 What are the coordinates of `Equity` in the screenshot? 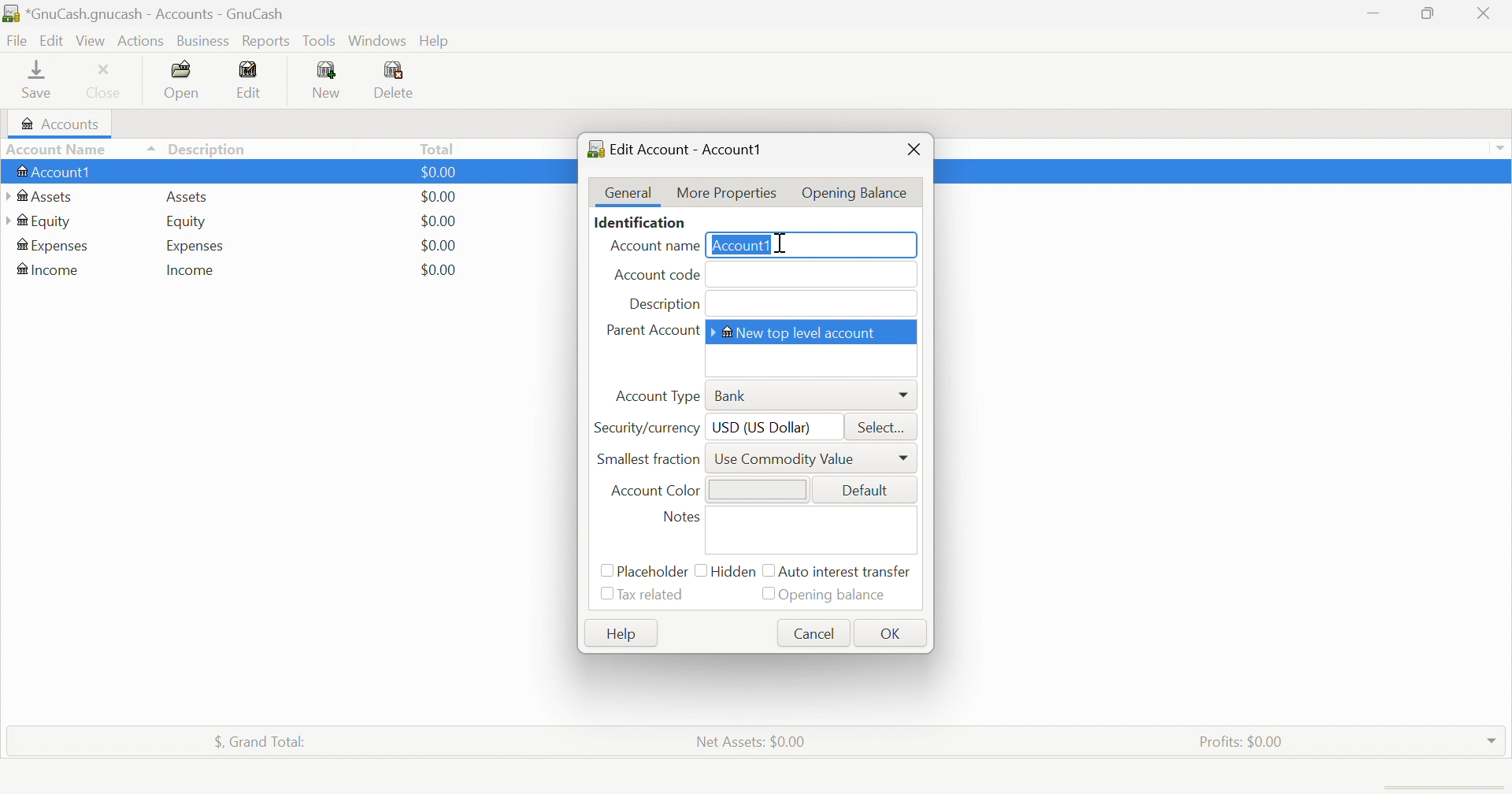 It's located at (187, 224).